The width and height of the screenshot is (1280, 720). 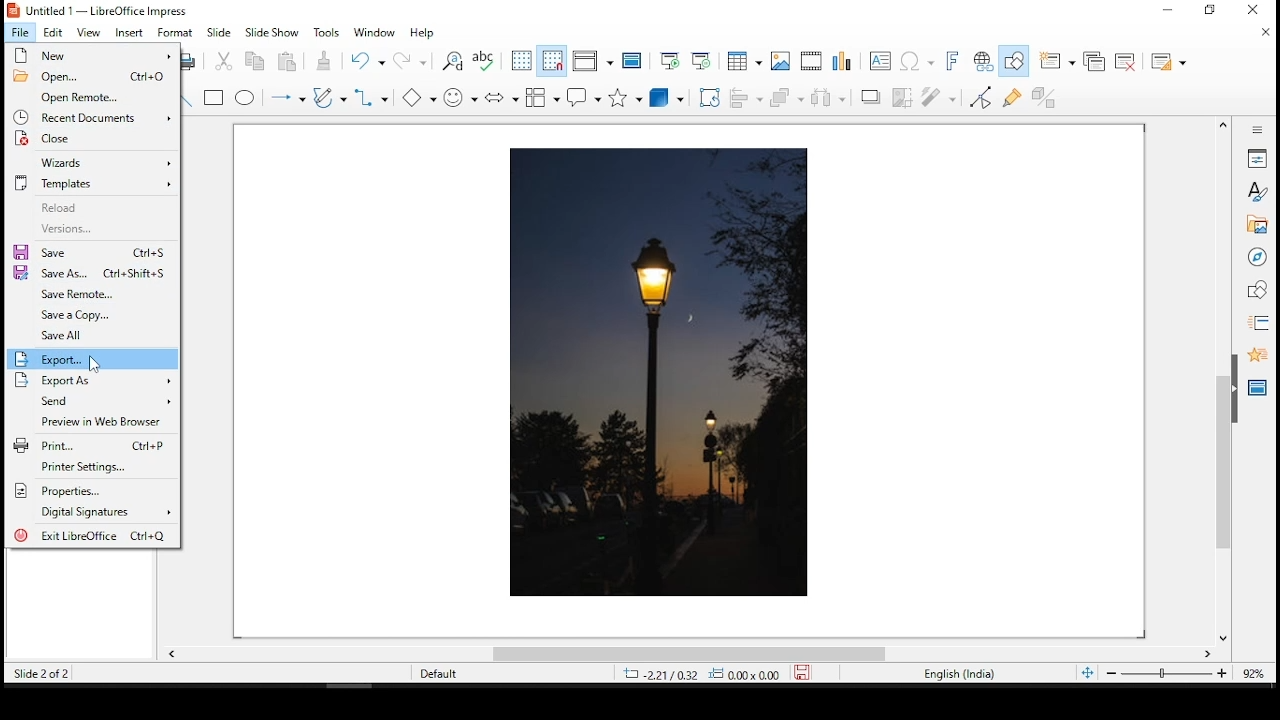 I want to click on block arrows, so click(x=501, y=98).